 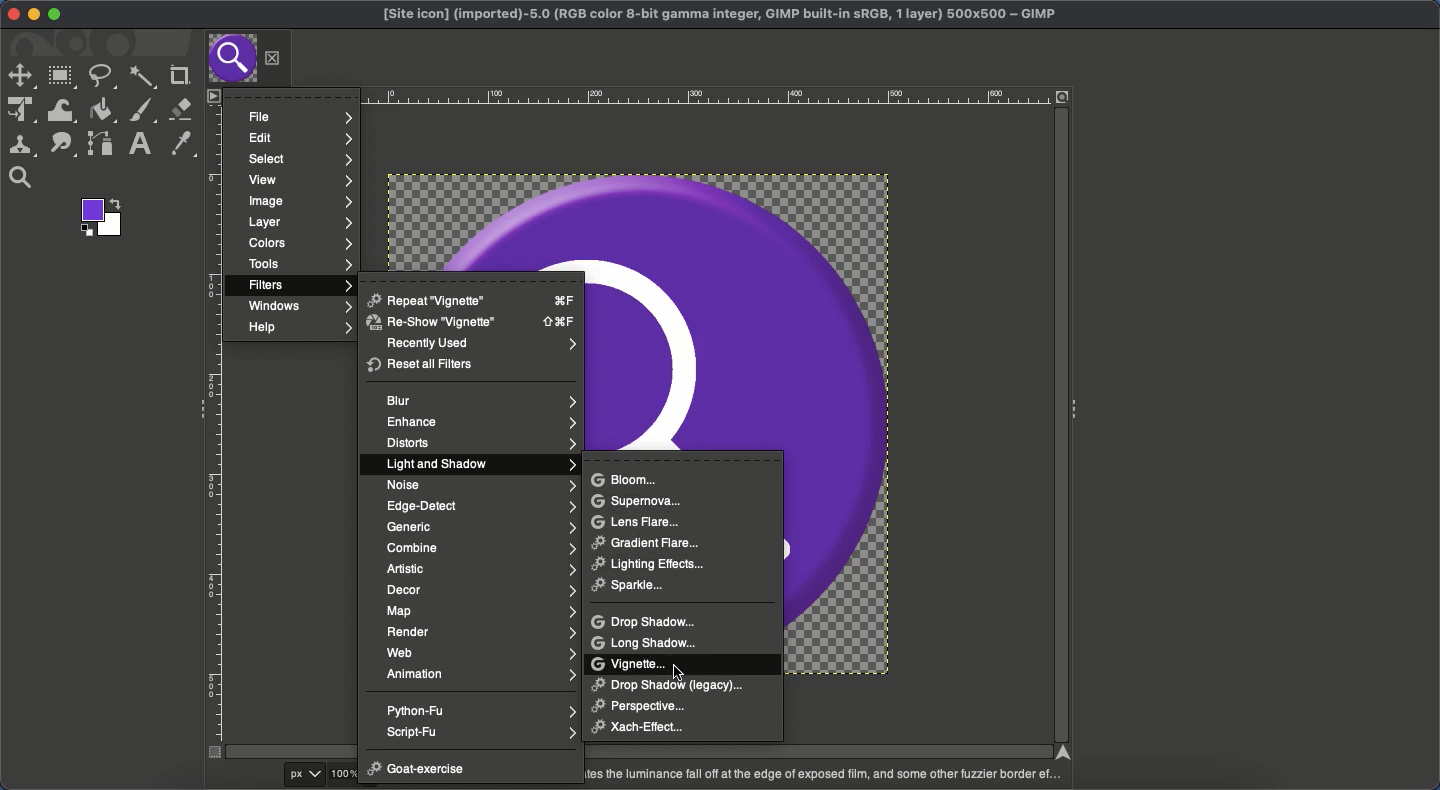 I want to click on Scroll, so click(x=634, y=752).